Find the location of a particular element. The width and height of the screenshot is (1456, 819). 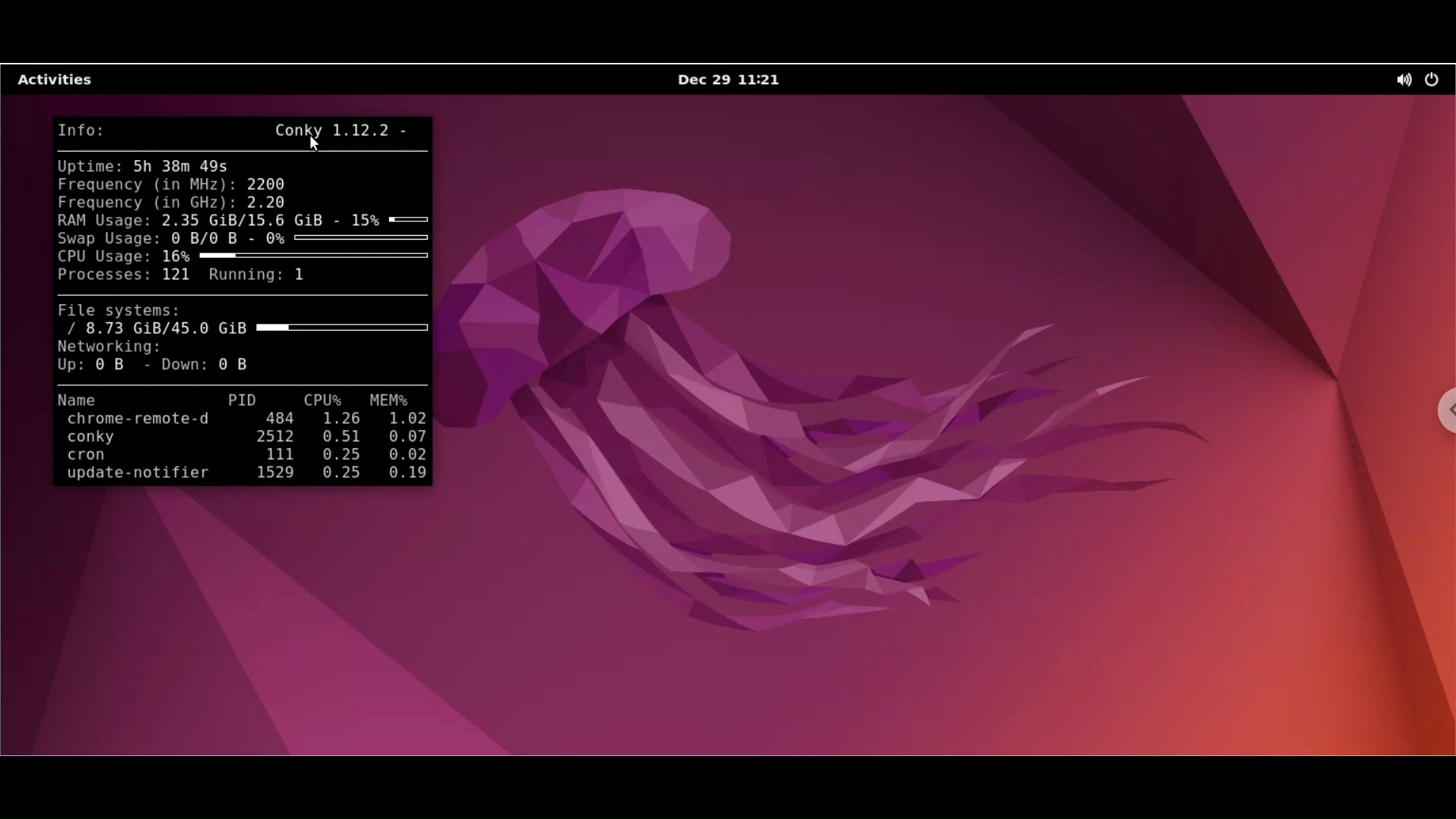

frequency (in GHz) is located at coordinates (147, 202).